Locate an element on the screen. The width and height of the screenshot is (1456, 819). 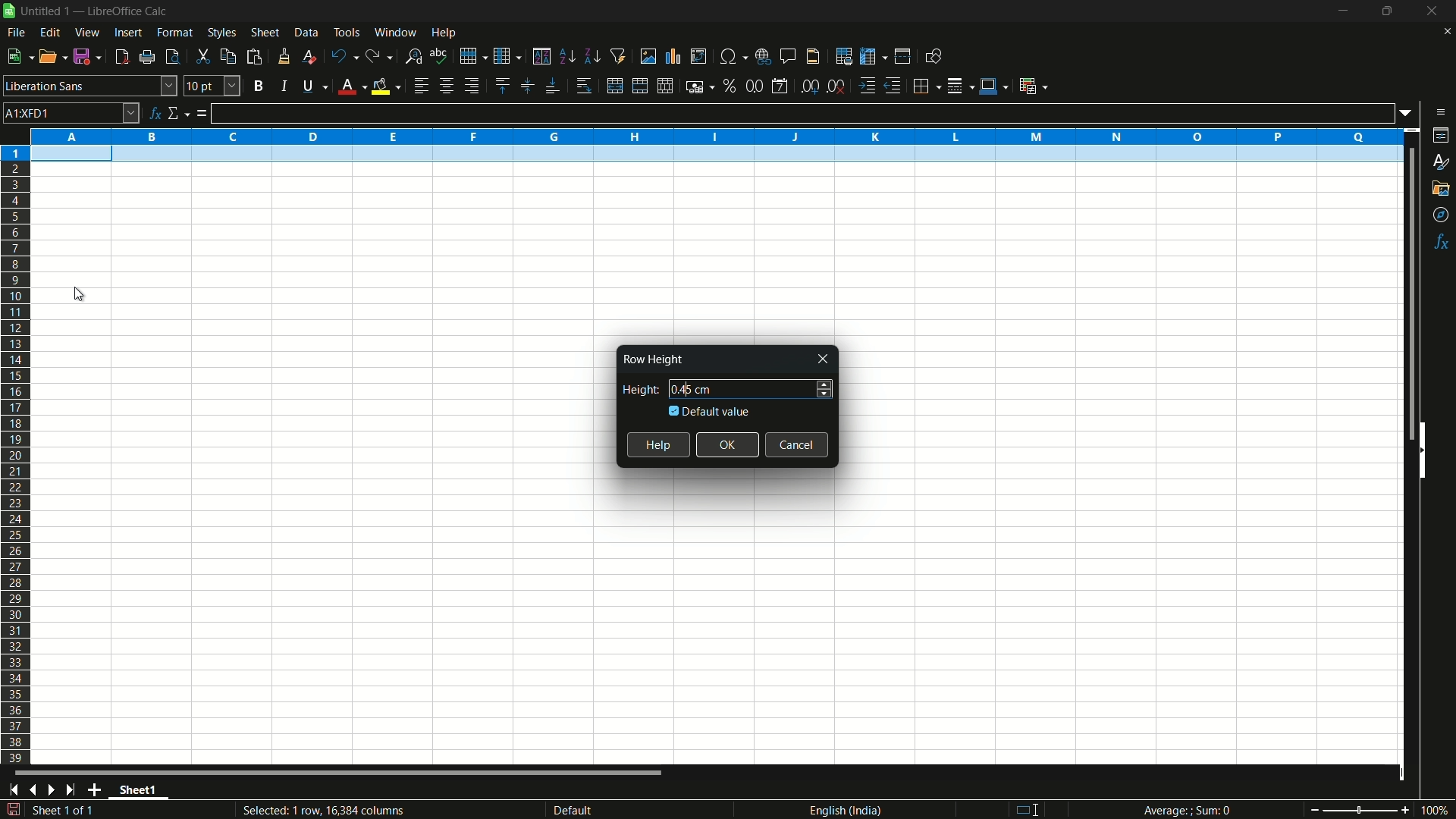
scroll bar is located at coordinates (340, 775).